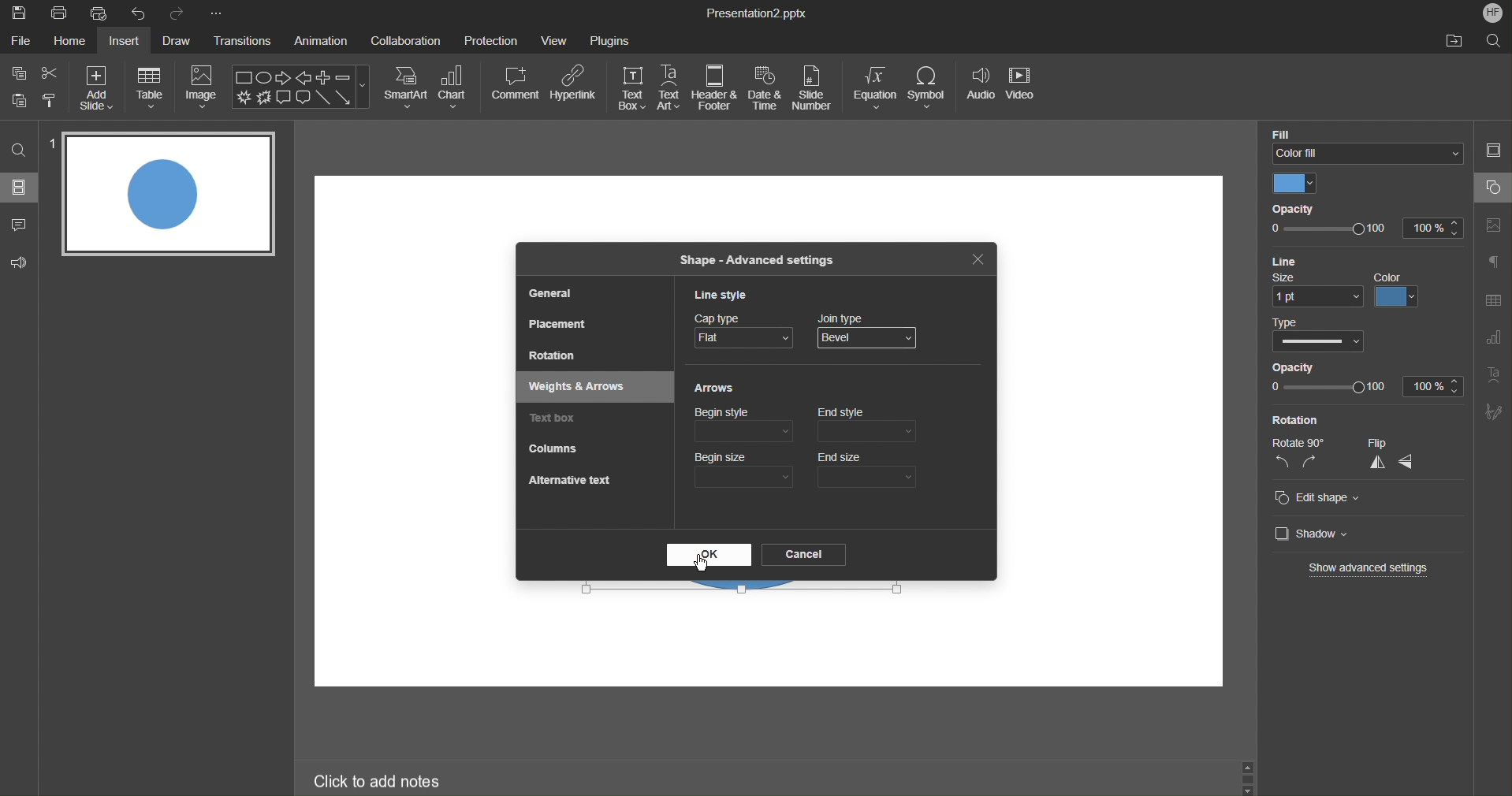  I want to click on Begin size, so click(744, 470).